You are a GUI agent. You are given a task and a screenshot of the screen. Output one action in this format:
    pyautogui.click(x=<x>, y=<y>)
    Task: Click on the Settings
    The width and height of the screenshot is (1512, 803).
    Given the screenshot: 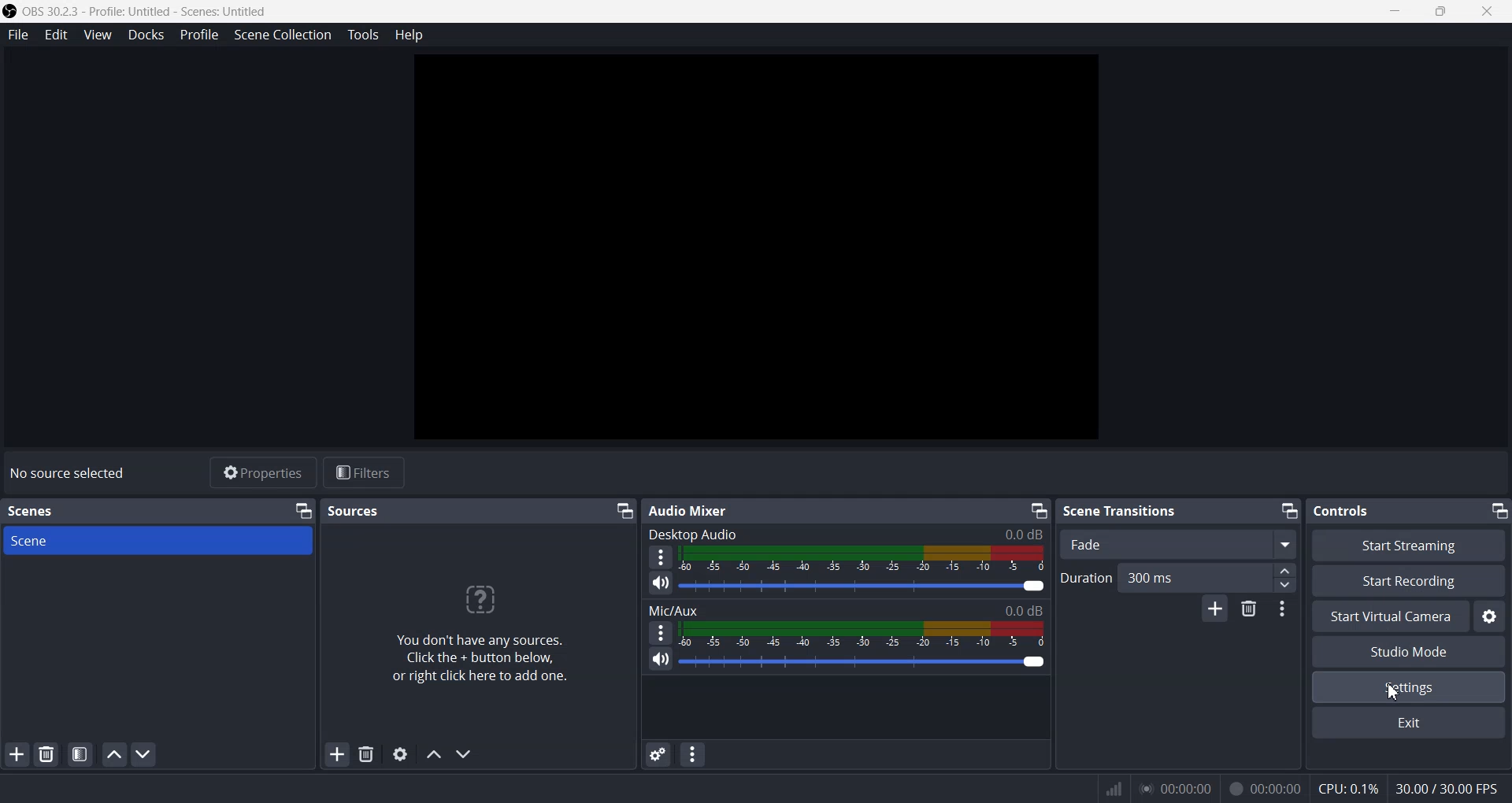 What is the action you would take?
    pyautogui.click(x=1491, y=618)
    